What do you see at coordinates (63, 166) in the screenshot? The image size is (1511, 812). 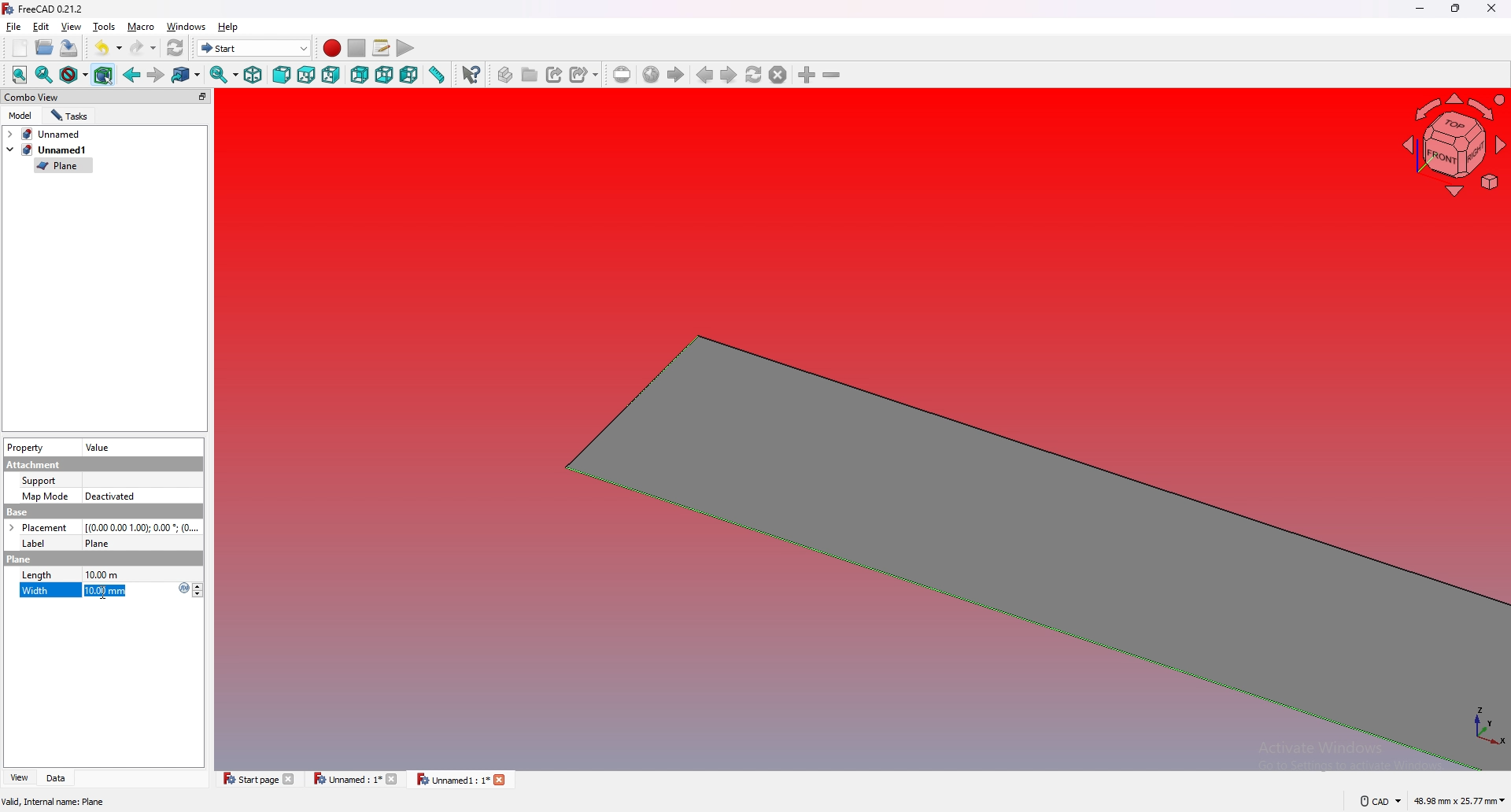 I see `plane` at bounding box center [63, 166].